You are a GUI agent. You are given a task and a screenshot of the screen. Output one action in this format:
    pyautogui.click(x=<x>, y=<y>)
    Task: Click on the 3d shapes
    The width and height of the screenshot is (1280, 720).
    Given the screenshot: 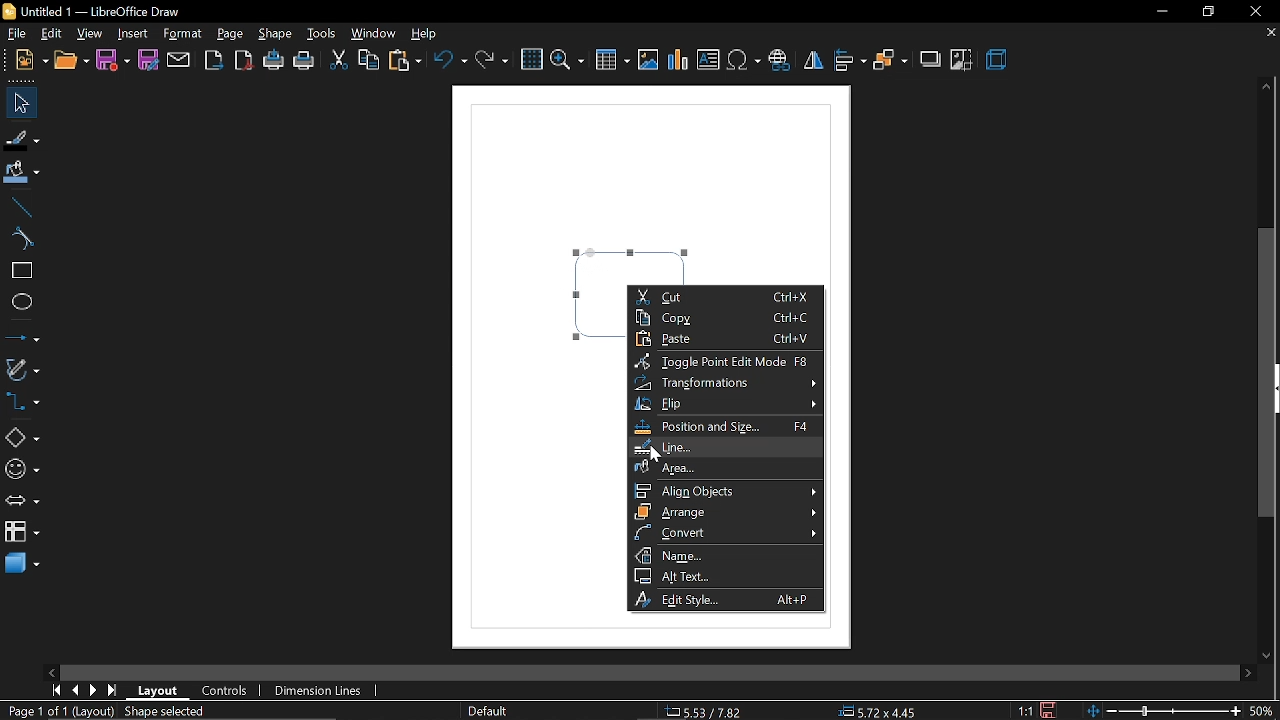 What is the action you would take?
    pyautogui.click(x=22, y=563)
    